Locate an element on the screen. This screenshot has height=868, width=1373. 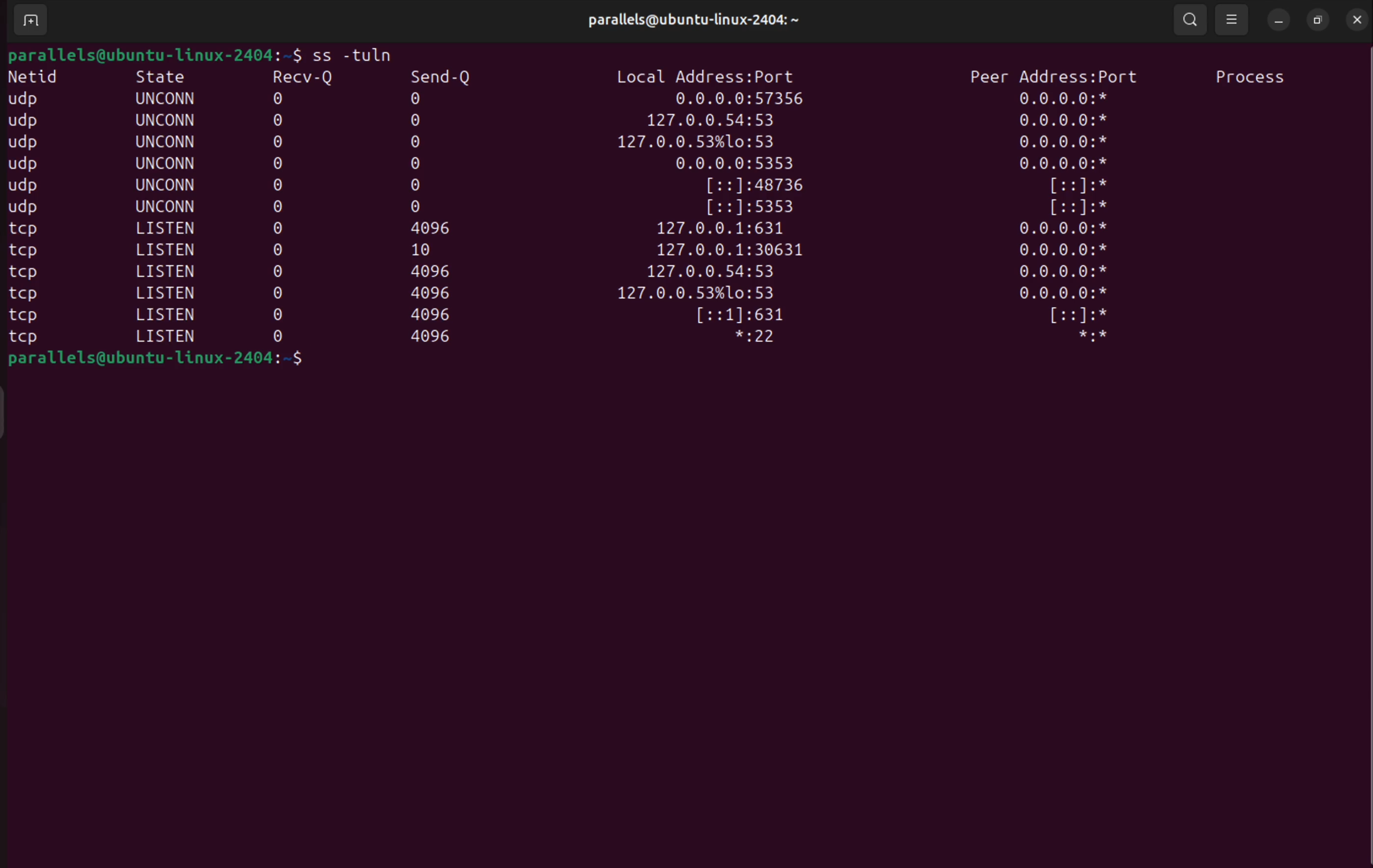
 is located at coordinates (278, 271).